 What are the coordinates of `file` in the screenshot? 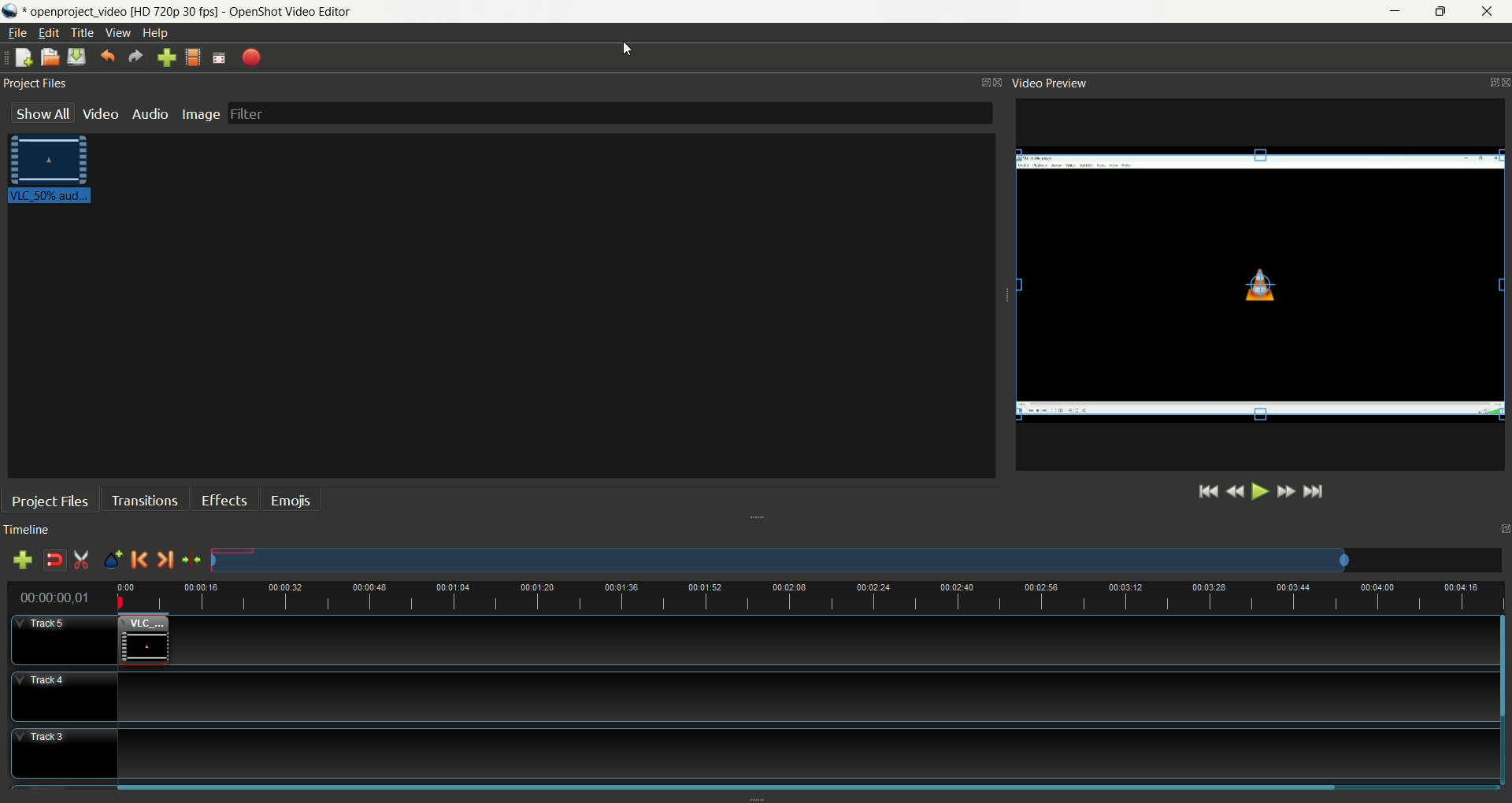 It's located at (22, 33).